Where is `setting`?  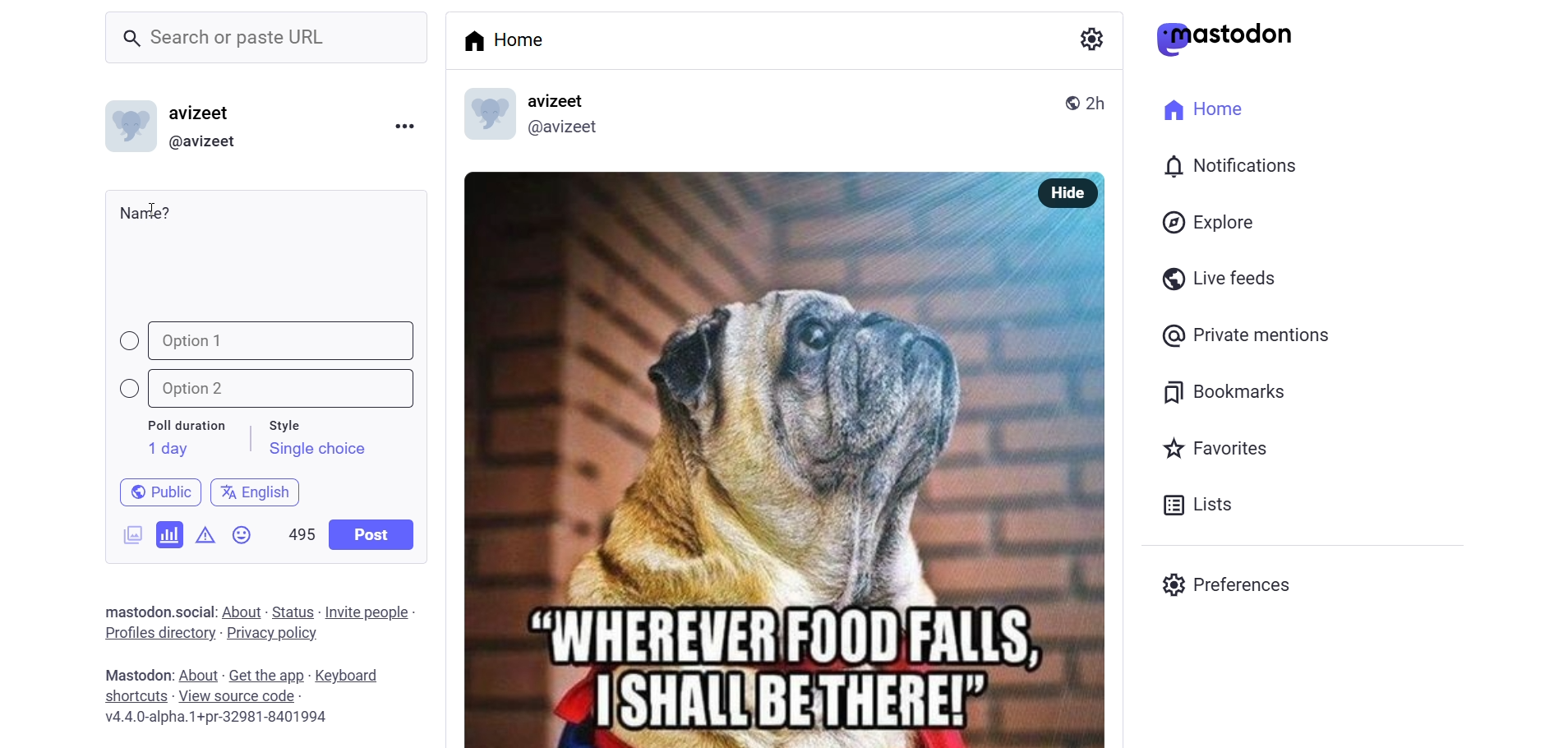
setting is located at coordinates (1089, 38).